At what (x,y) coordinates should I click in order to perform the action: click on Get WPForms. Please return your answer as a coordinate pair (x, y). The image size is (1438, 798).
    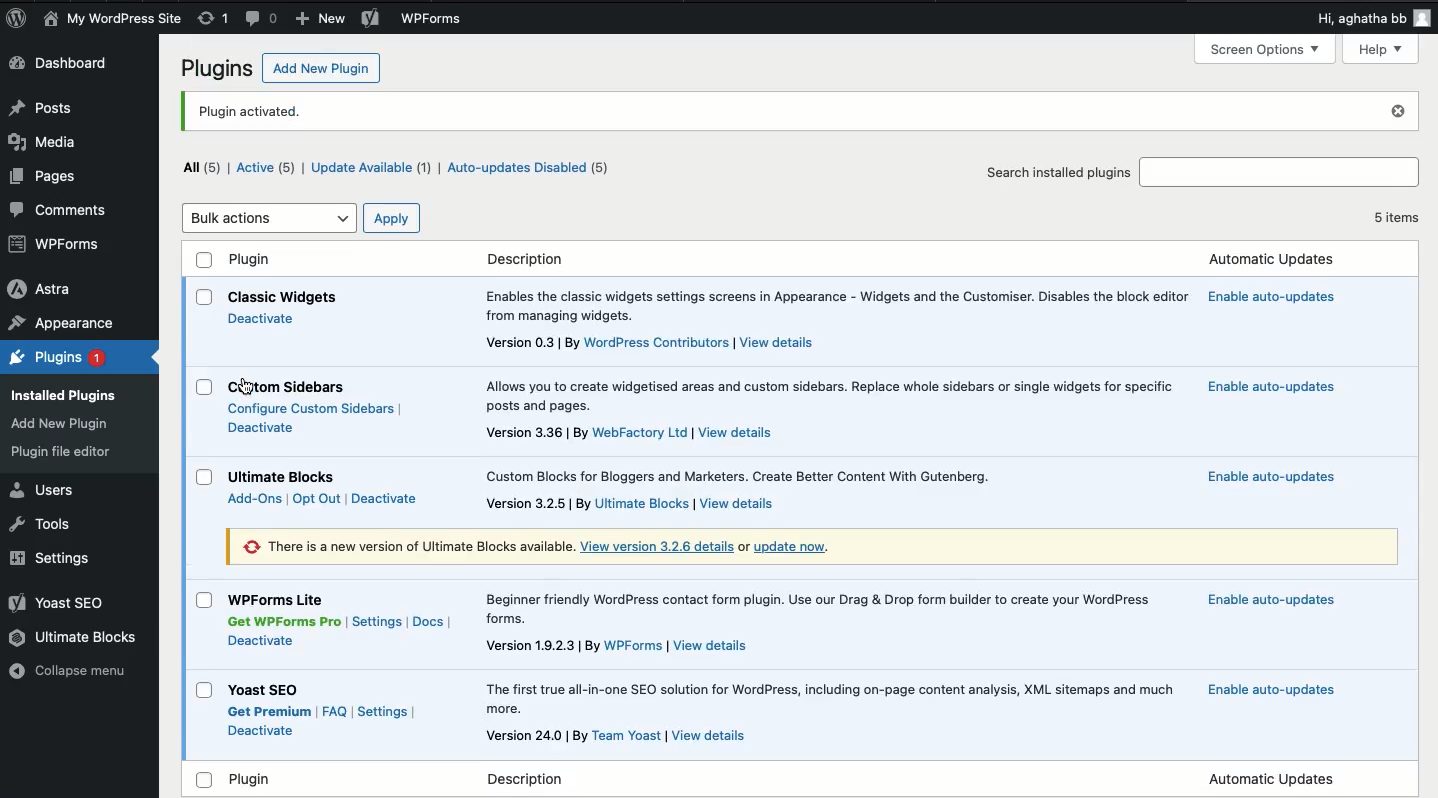
    Looking at the image, I should click on (286, 621).